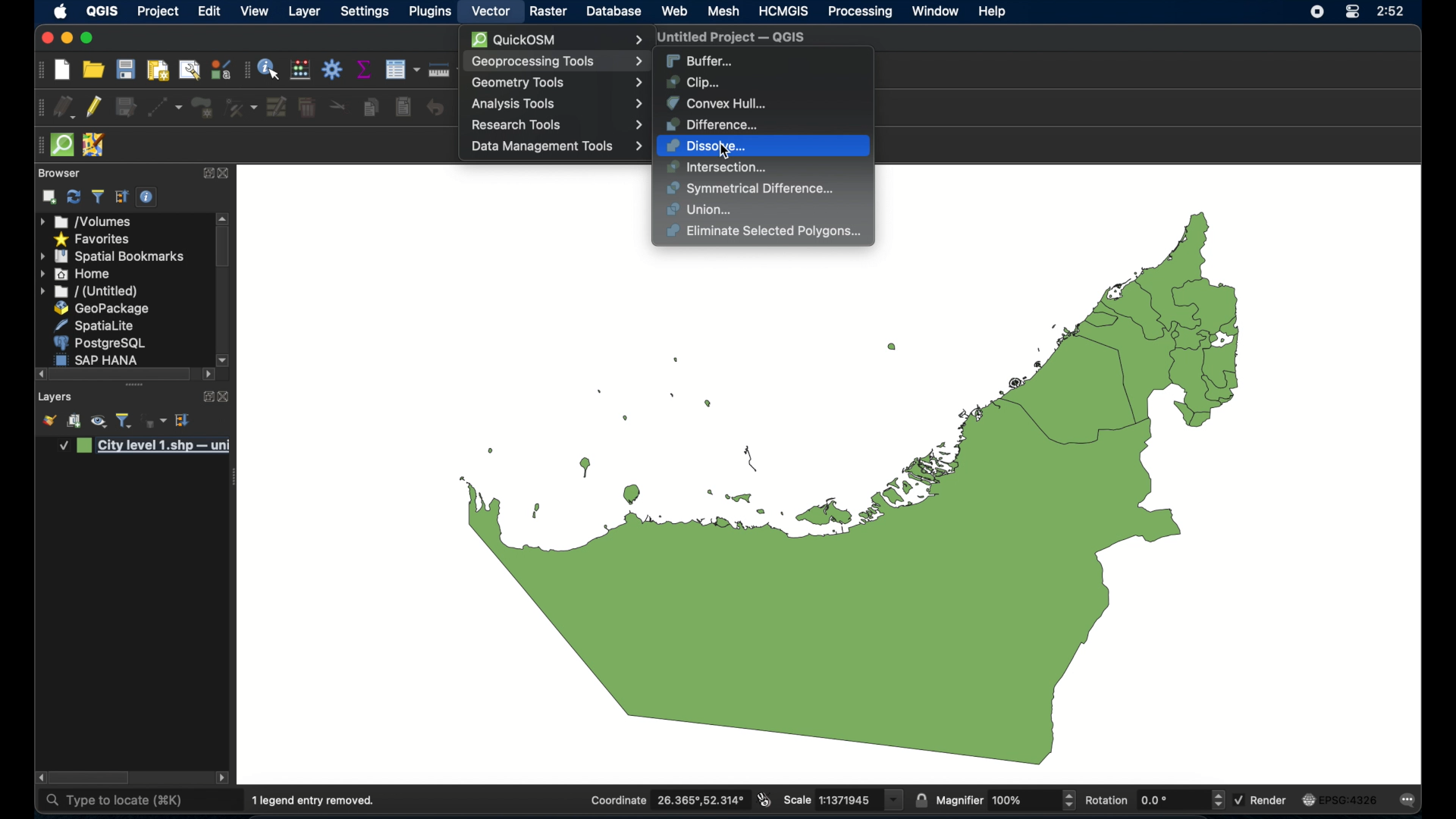 The image size is (1456, 819). What do you see at coordinates (158, 12) in the screenshot?
I see `project` at bounding box center [158, 12].